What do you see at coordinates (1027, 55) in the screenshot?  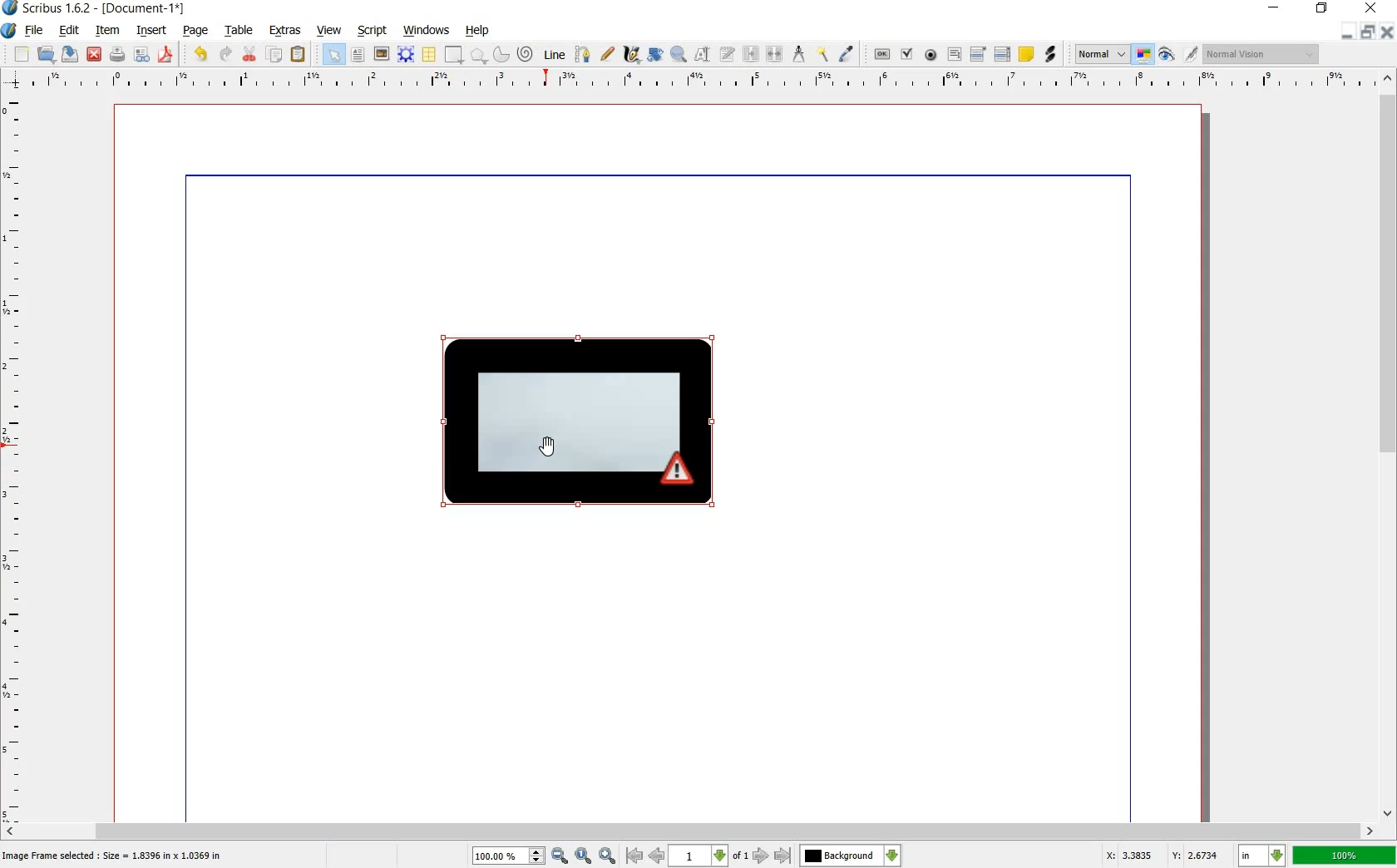 I see `text annotation` at bounding box center [1027, 55].